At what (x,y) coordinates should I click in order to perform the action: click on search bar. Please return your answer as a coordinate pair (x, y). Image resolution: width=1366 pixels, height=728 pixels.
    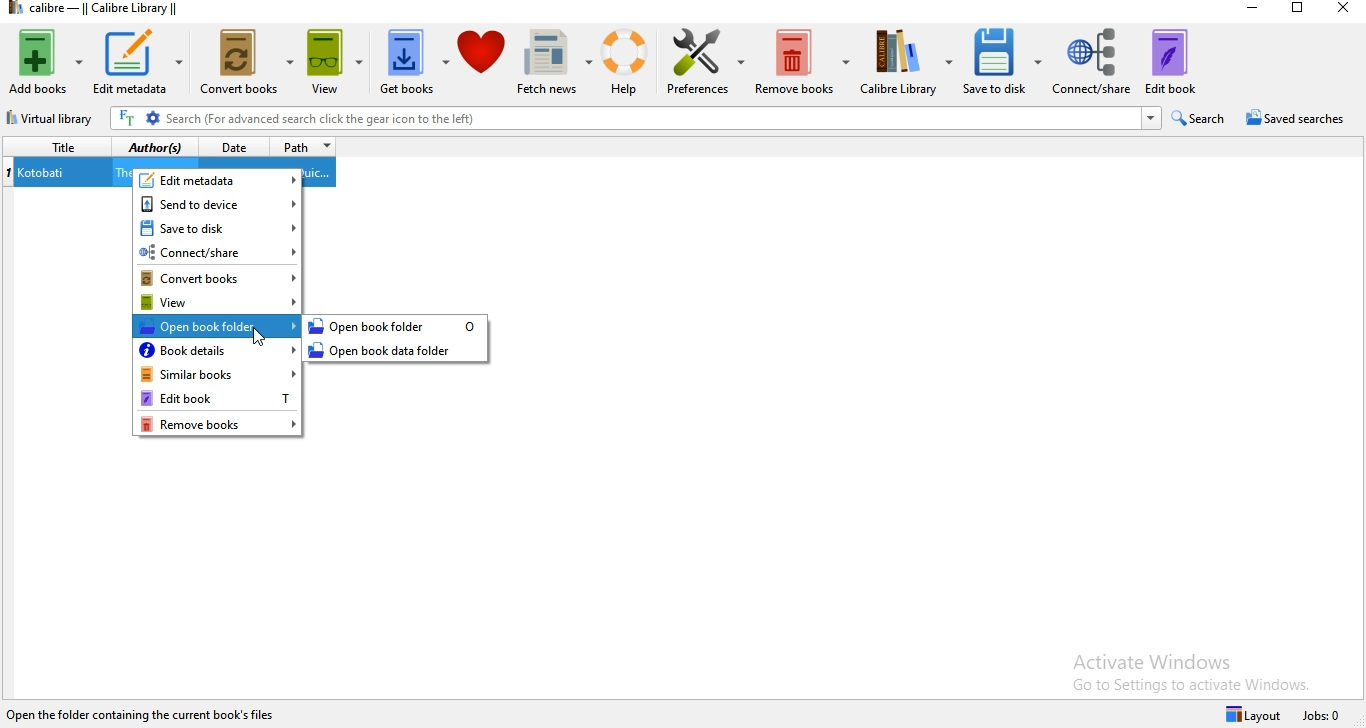
    Looking at the image, I should click on (635, 119).